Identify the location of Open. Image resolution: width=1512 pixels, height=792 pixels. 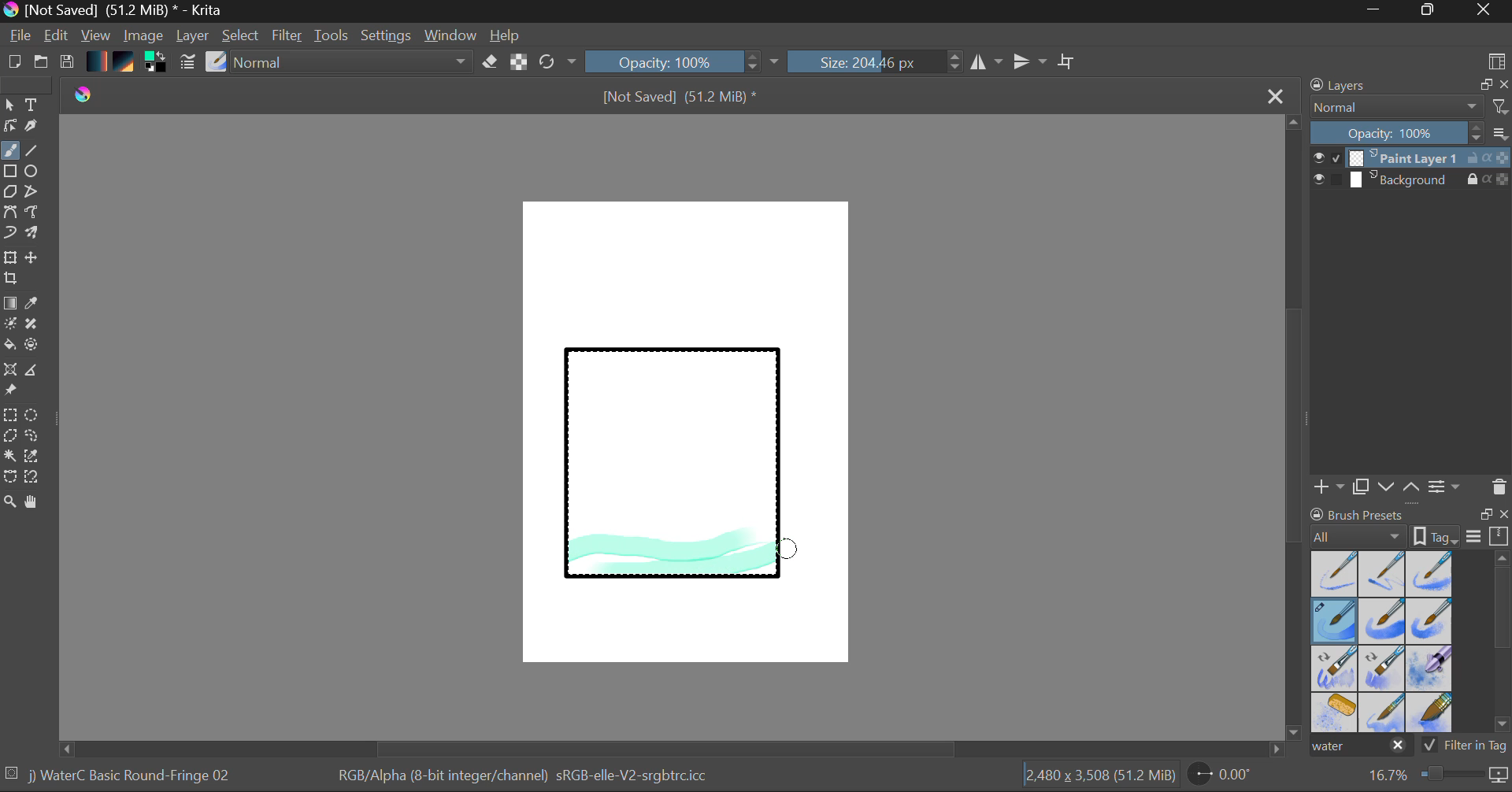
(43, 64).